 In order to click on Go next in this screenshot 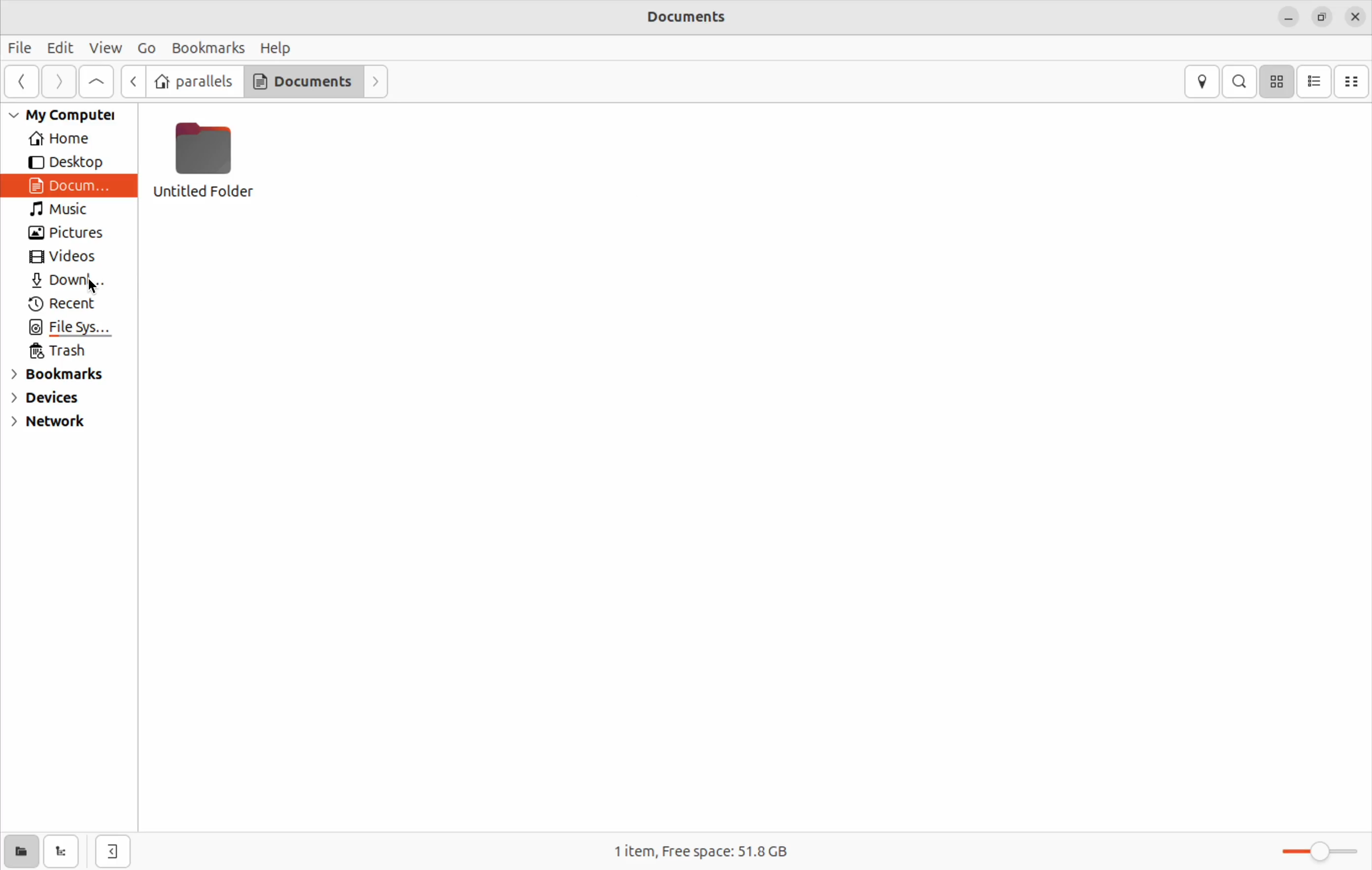, I will do `click(57, 81)`.